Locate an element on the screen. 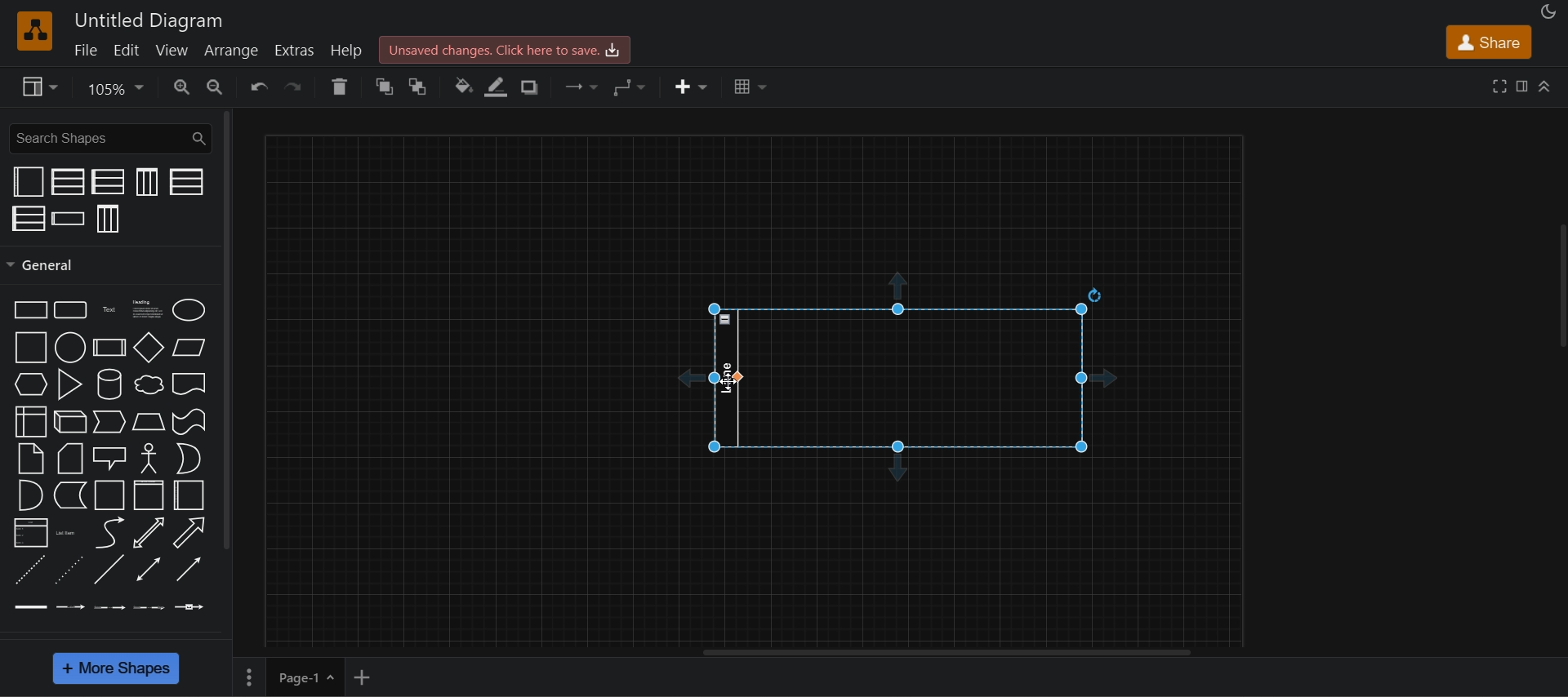 The image size is (1568, 697). card is located at coordinates (70, 458).